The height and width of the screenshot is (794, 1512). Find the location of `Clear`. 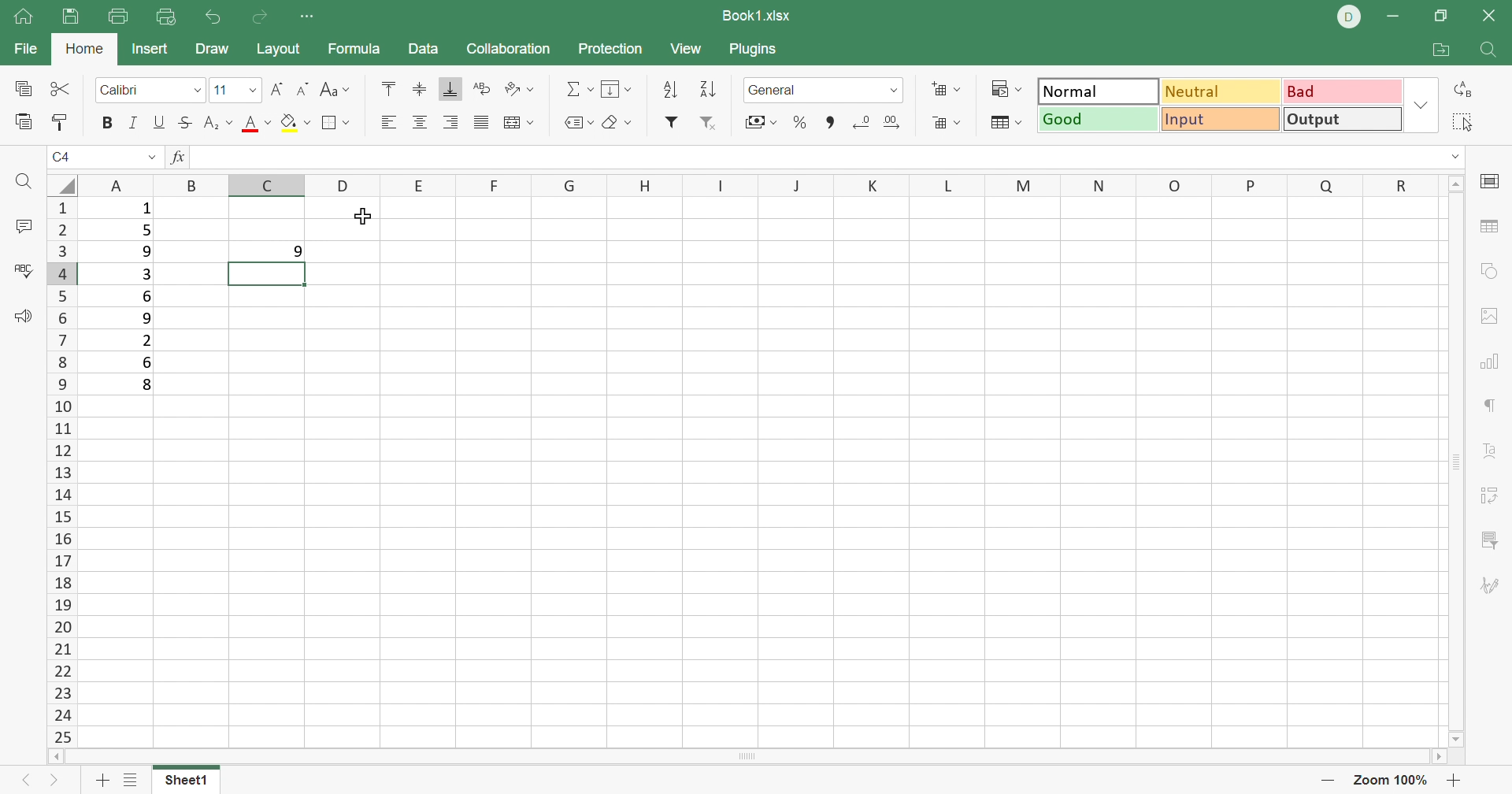

Clear is located at coordinates (621, 124).